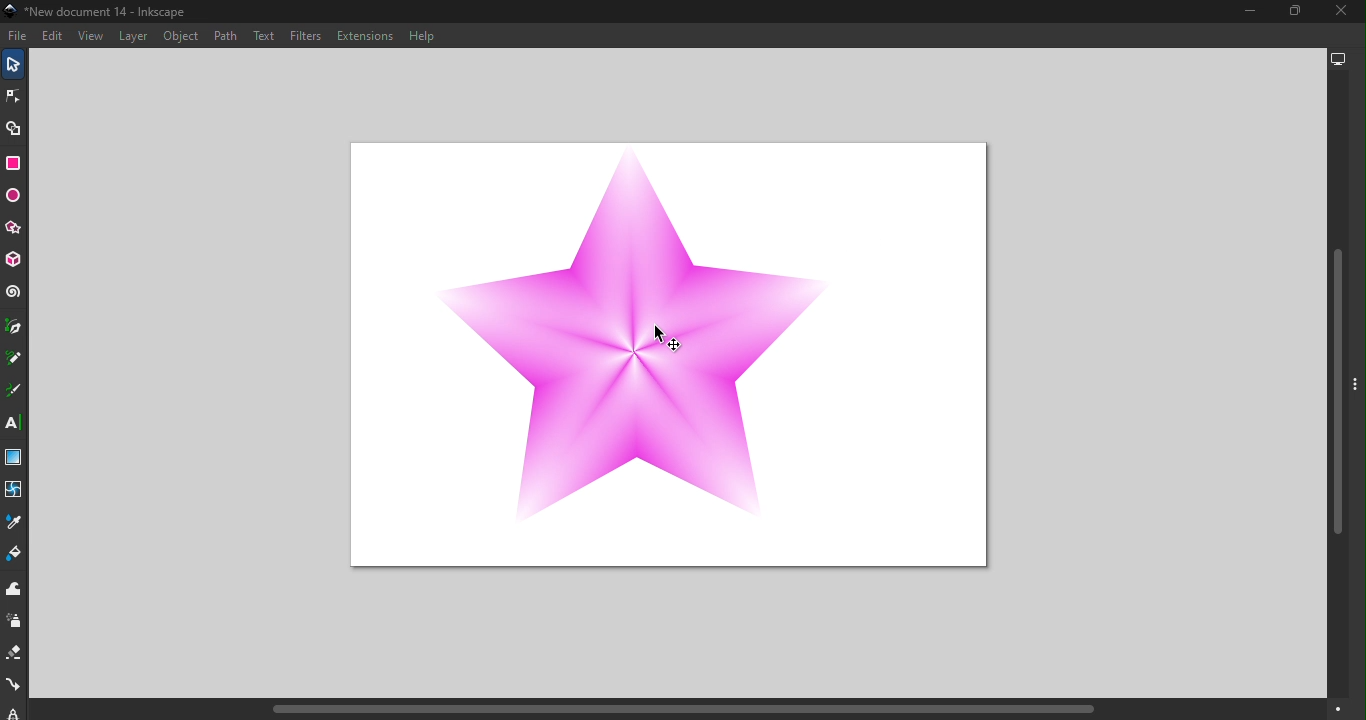 The width and height of the screenshot is (1366, 720). I want to click on Extensions, so click(366, 37).